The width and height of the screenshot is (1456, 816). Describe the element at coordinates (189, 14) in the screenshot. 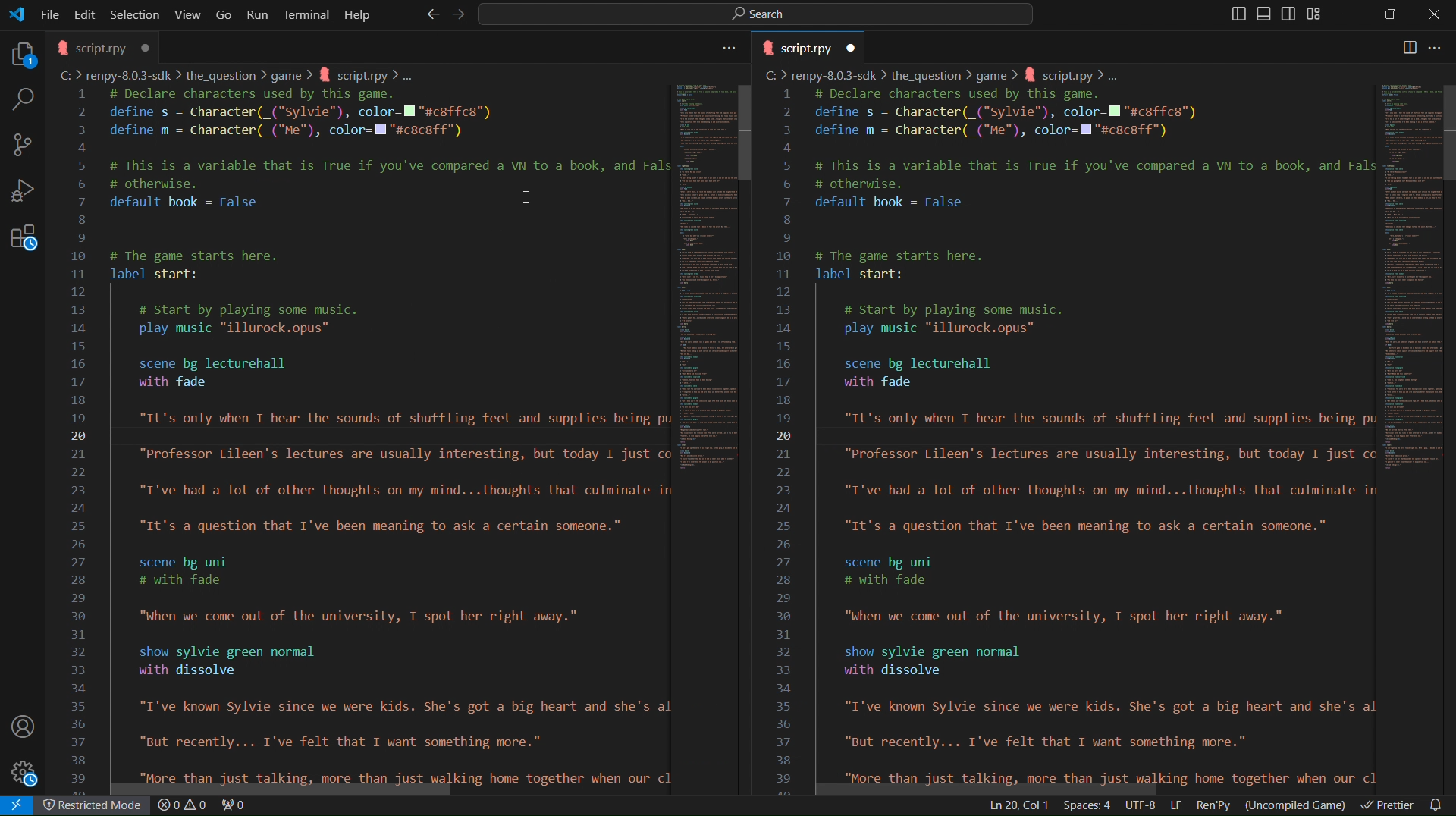

I see `View` at that location.